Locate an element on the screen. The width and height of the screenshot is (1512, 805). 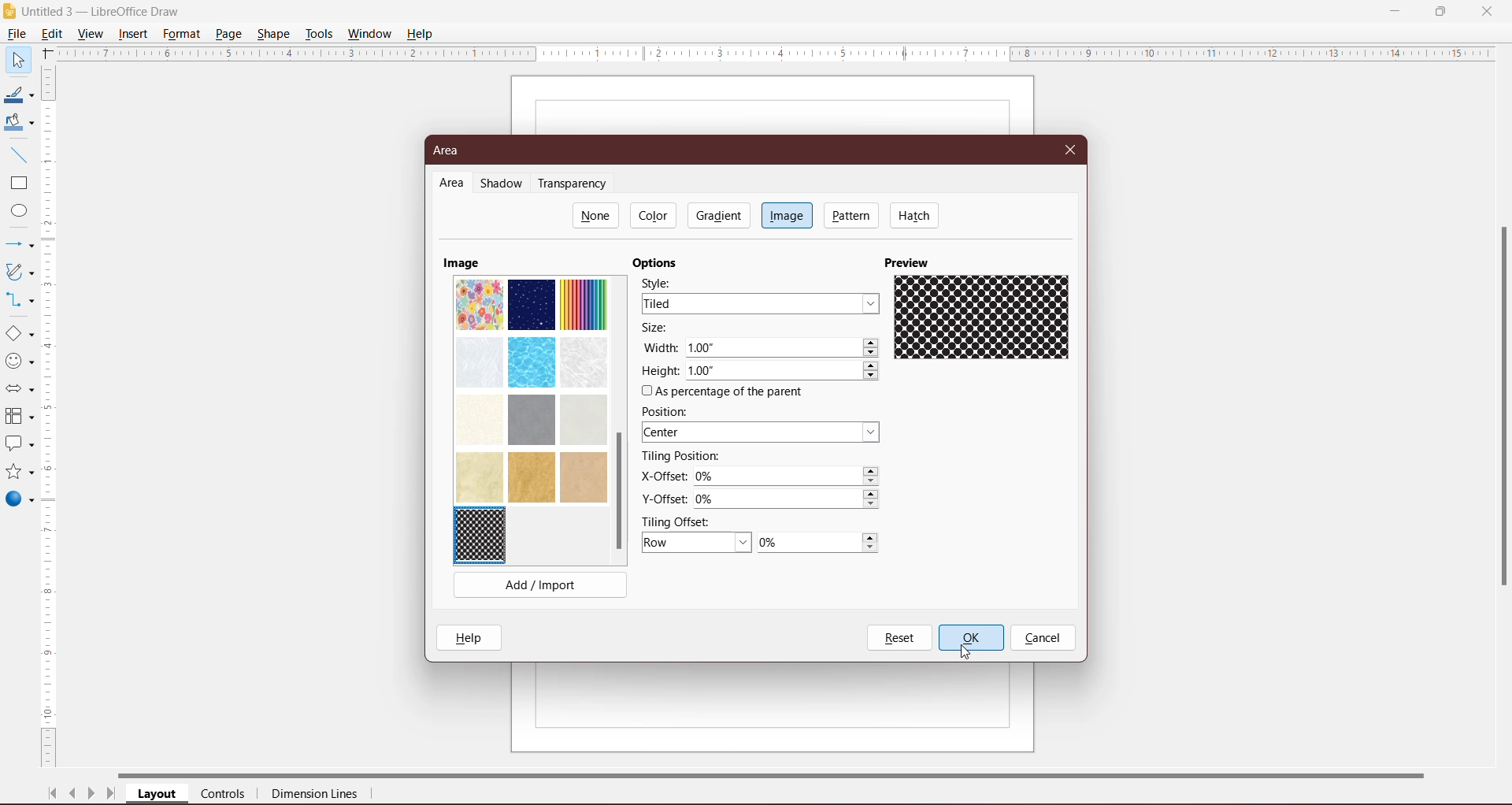
Stars and Banners is located at coordinates (18, 473).